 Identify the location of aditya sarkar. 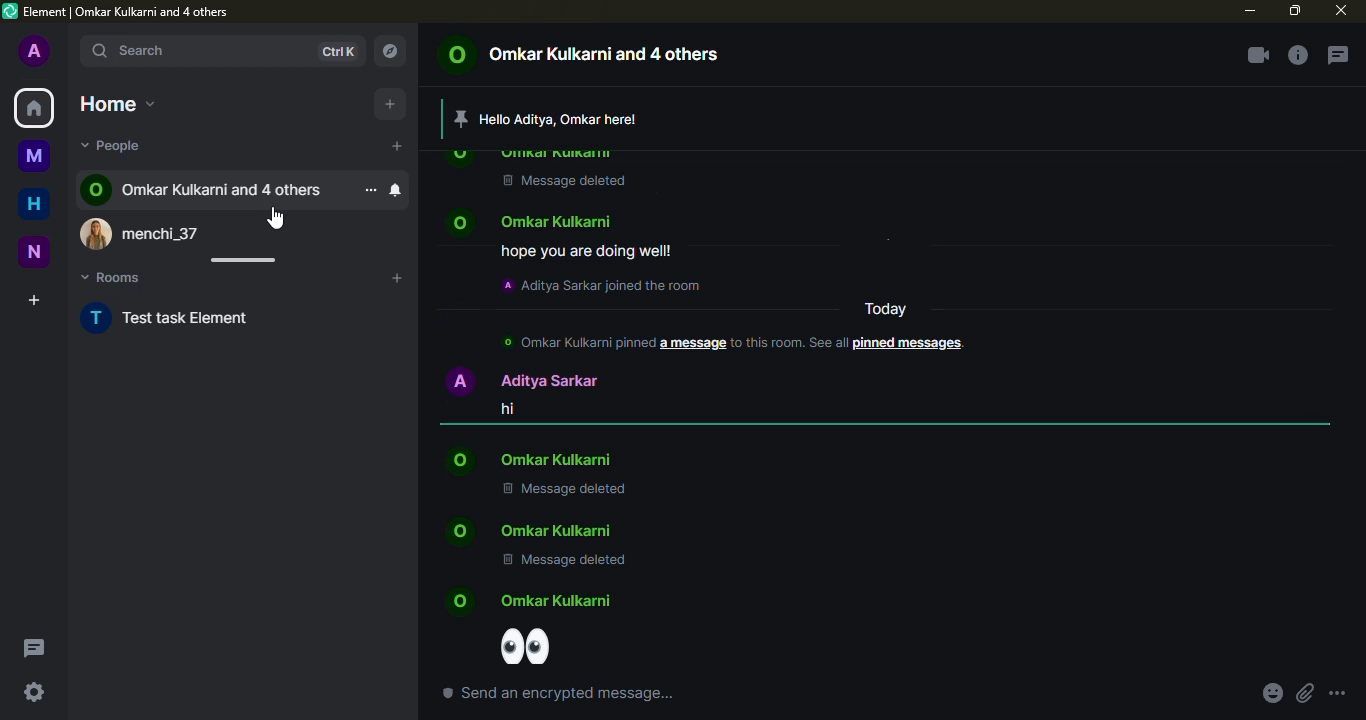
(523, 380).